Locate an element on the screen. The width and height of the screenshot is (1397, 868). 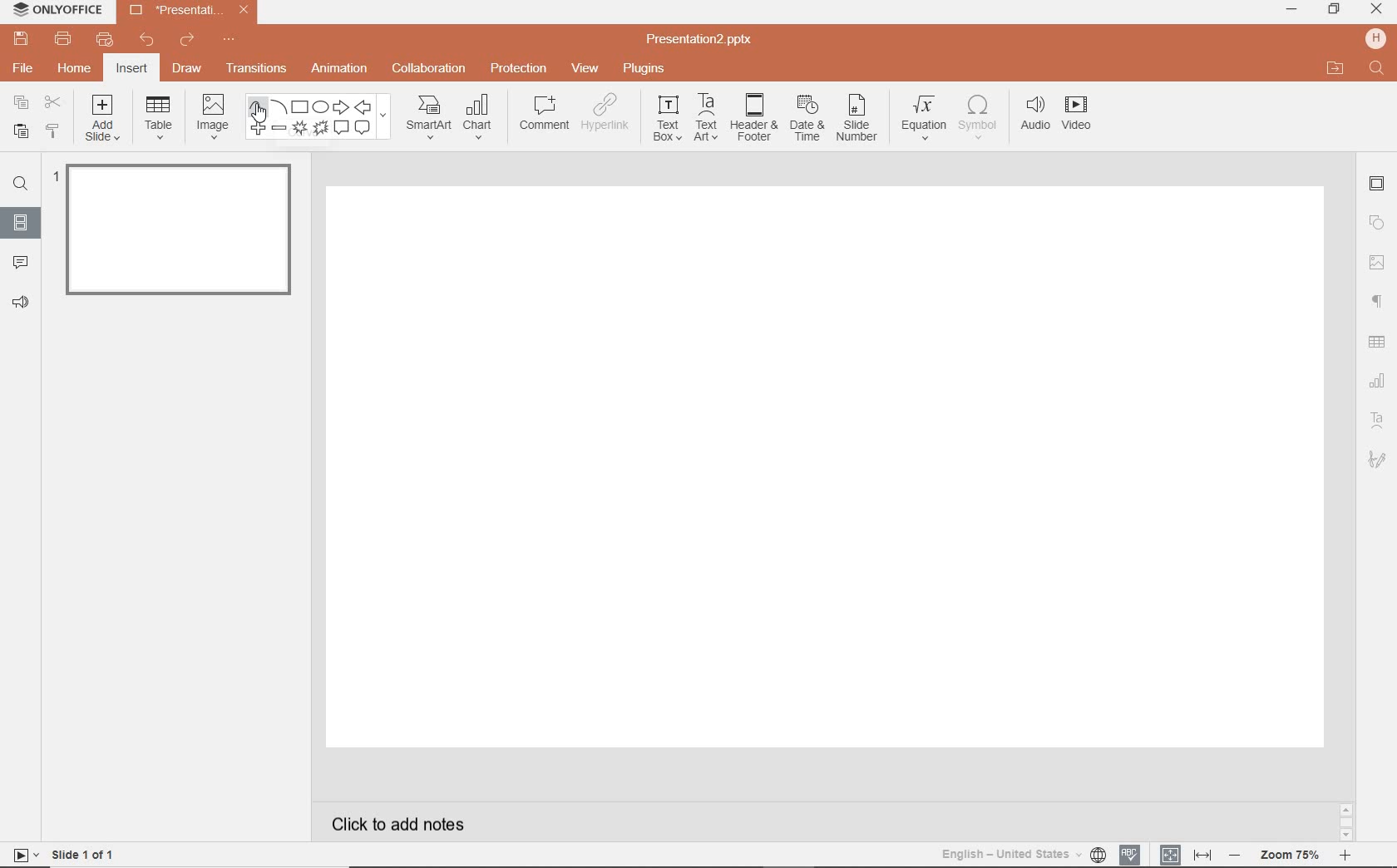
PARAGRAPH SETTINGS is located at coordinates (1375, 300).